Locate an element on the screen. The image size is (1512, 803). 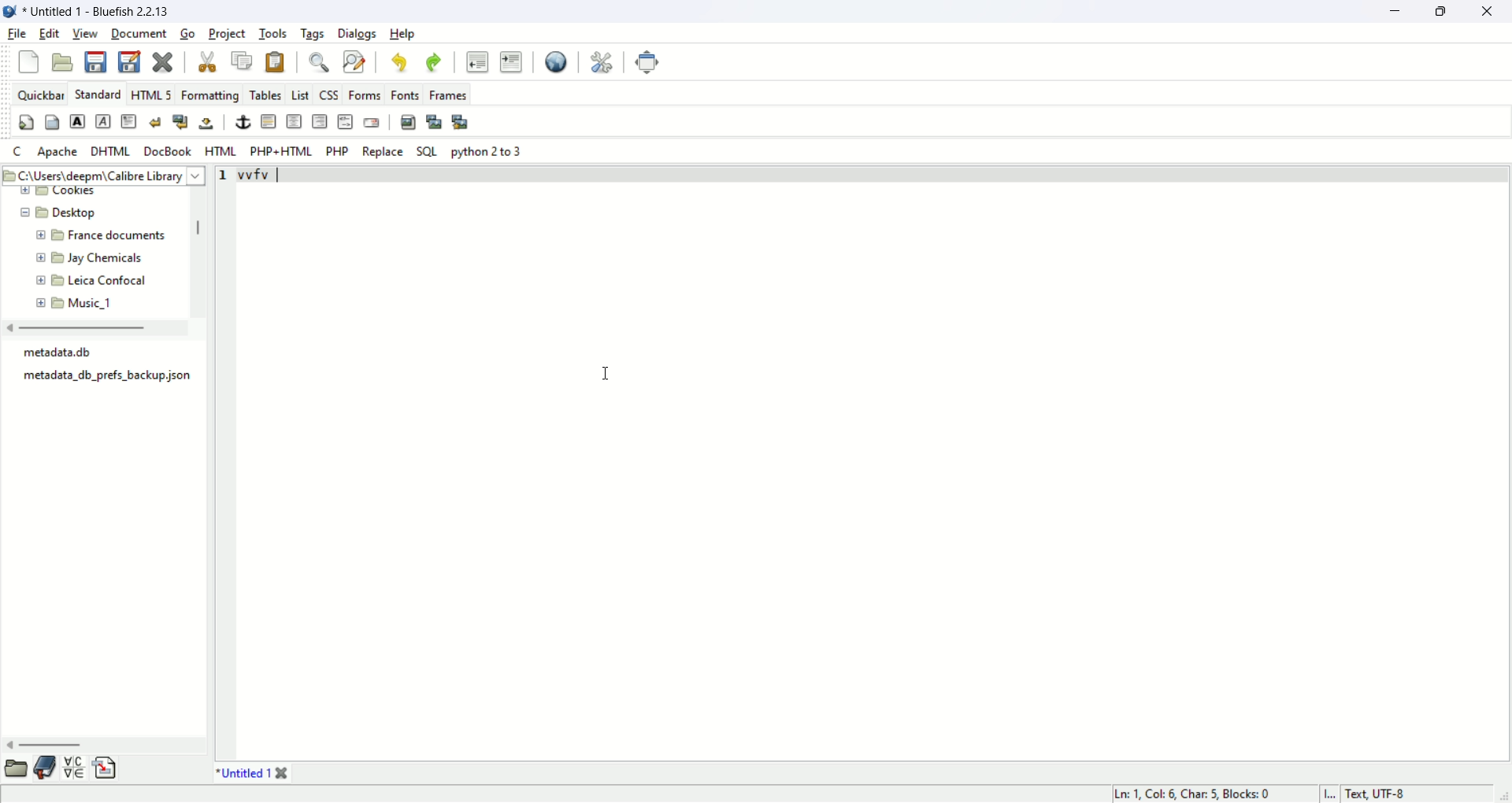
HTML comment is located at coordinates (346, 122).